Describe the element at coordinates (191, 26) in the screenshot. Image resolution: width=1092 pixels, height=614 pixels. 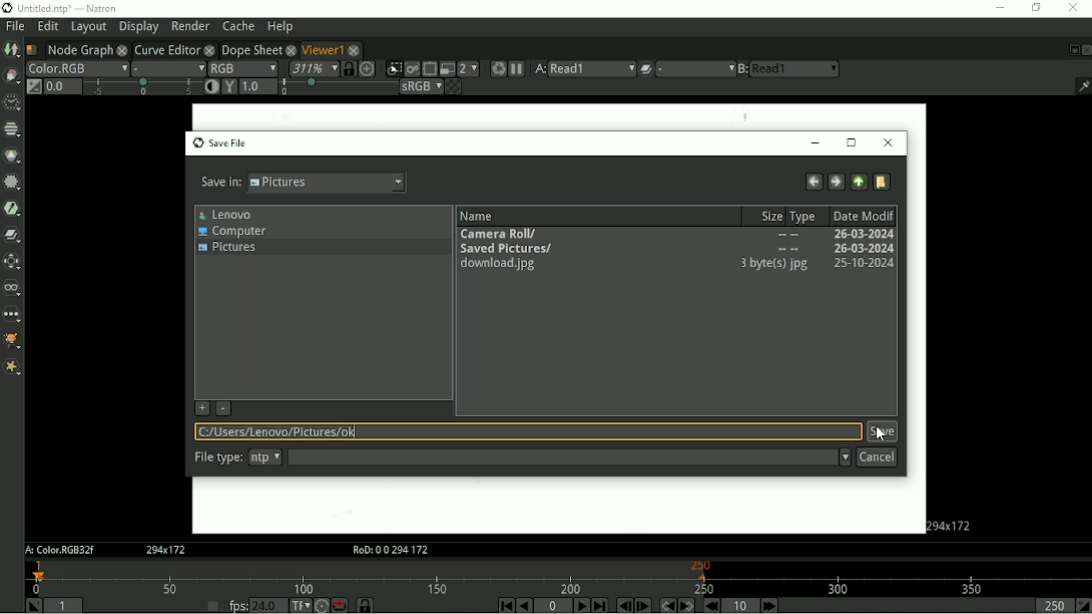
I see `Render` at that location.